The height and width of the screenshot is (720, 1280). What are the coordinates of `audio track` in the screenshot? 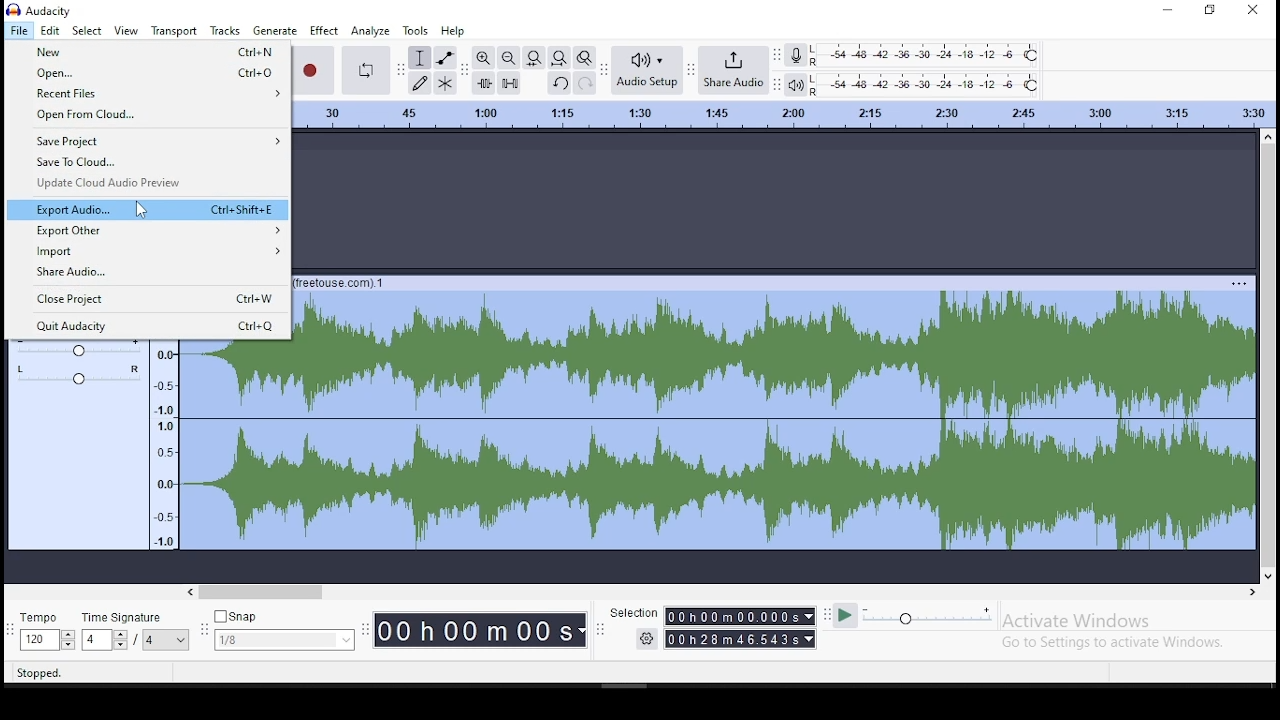 It's located at (776, 415).